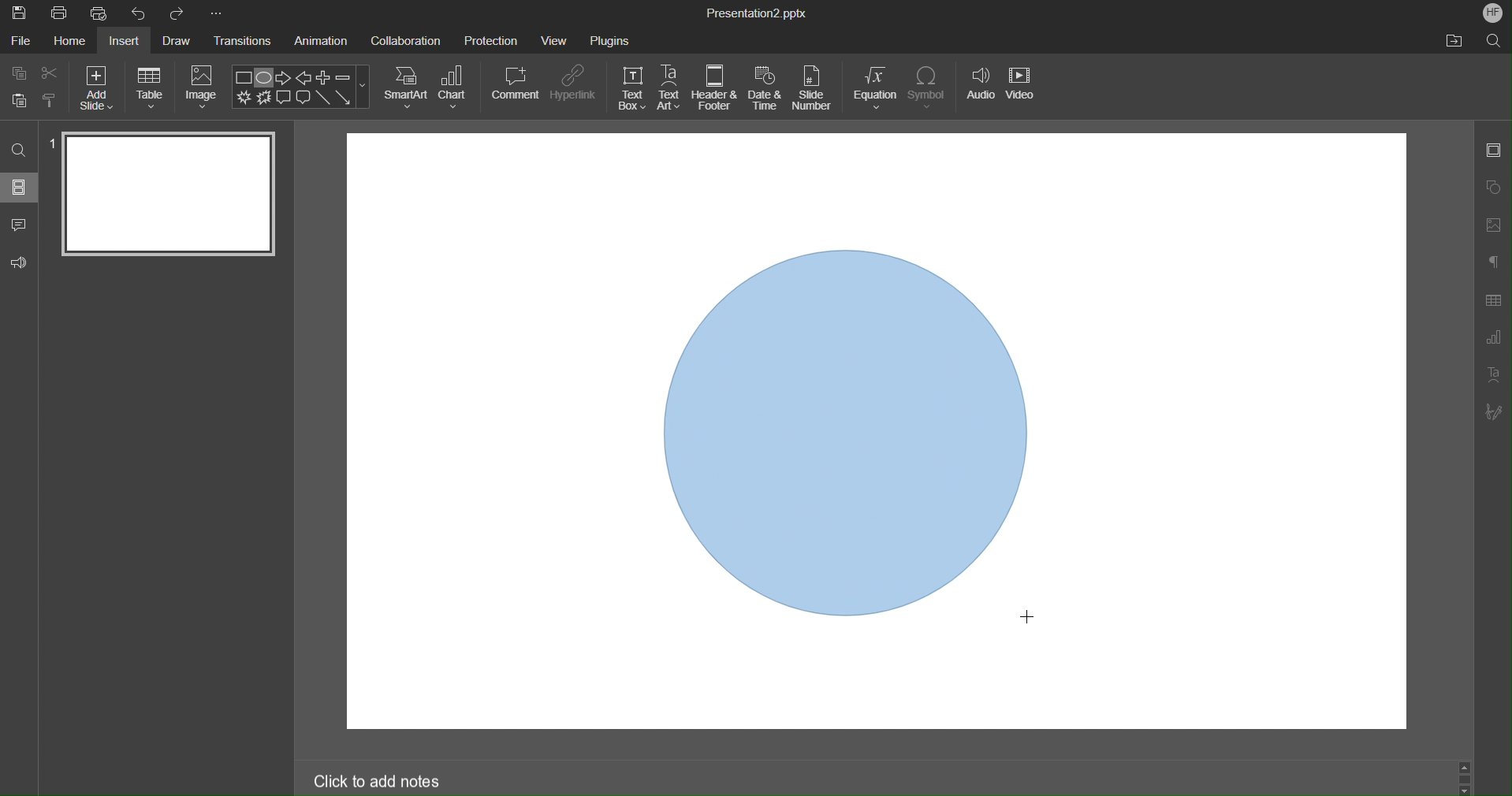 Image resolution: width=1512 pixels, height=796 pixels. What do you see at coordinates (573, 84) in the screenshot?
I see `Hyperlink` at bounding box center [573, 84].